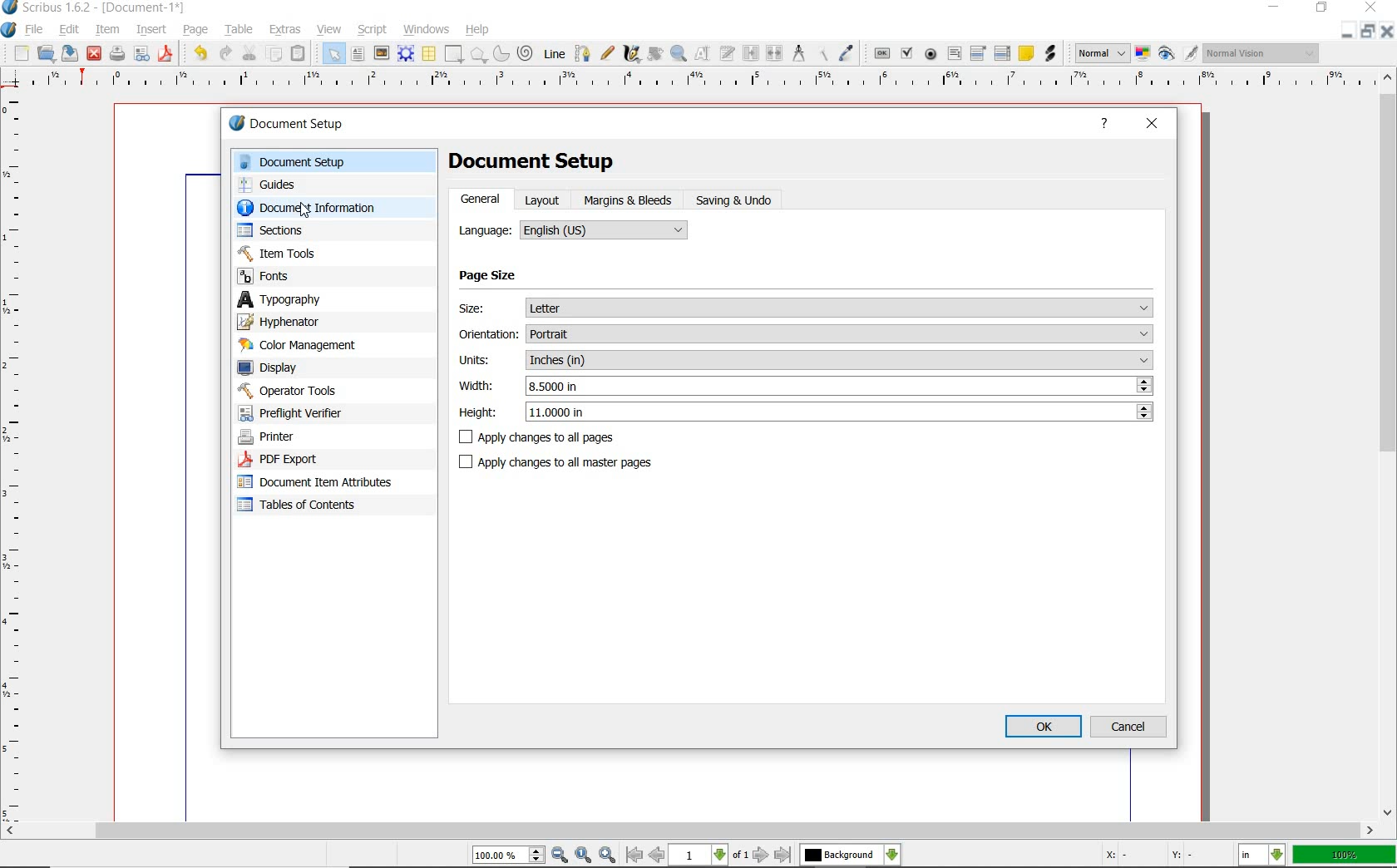 The height and width of the screenshot is (868, 1397). What do you see at coordinates (72, 53) in the screenshot?
I see `save` at bounding box center [72, 53].